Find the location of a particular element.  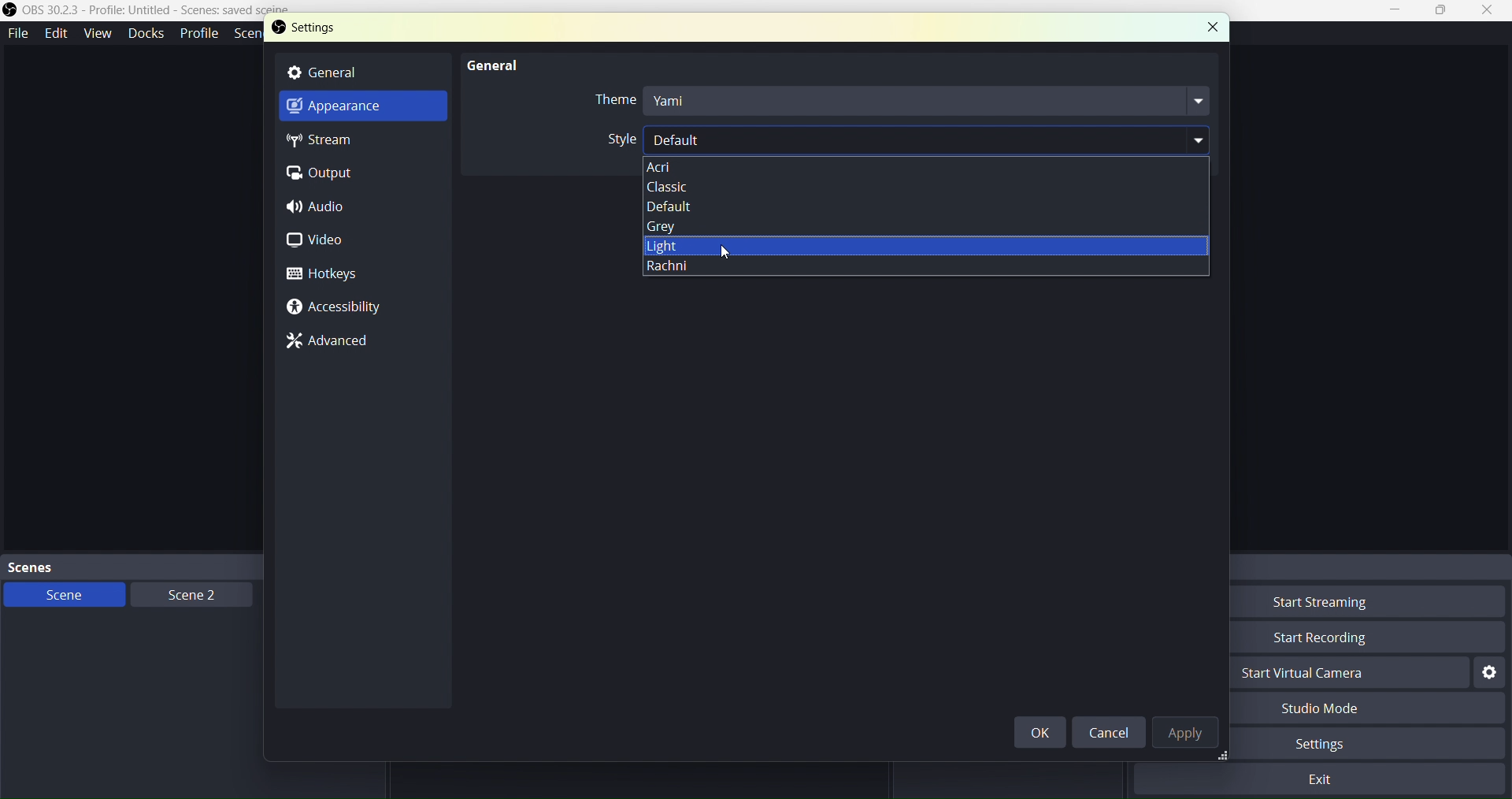

OBS Studio is located at coordinates (160, 13).